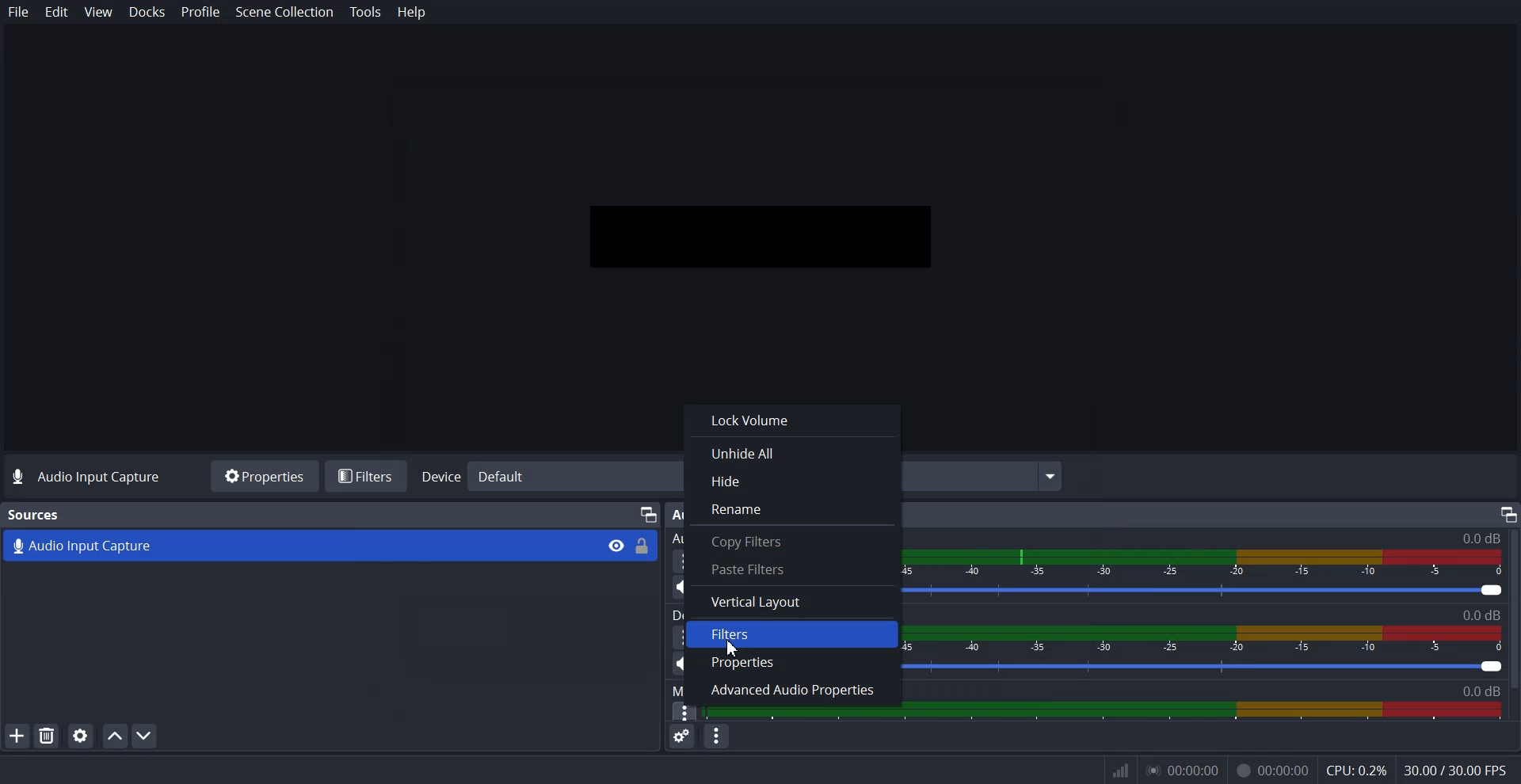 This screenshot has height=784, width=1521. I want to click on Text, so click(35, 515).